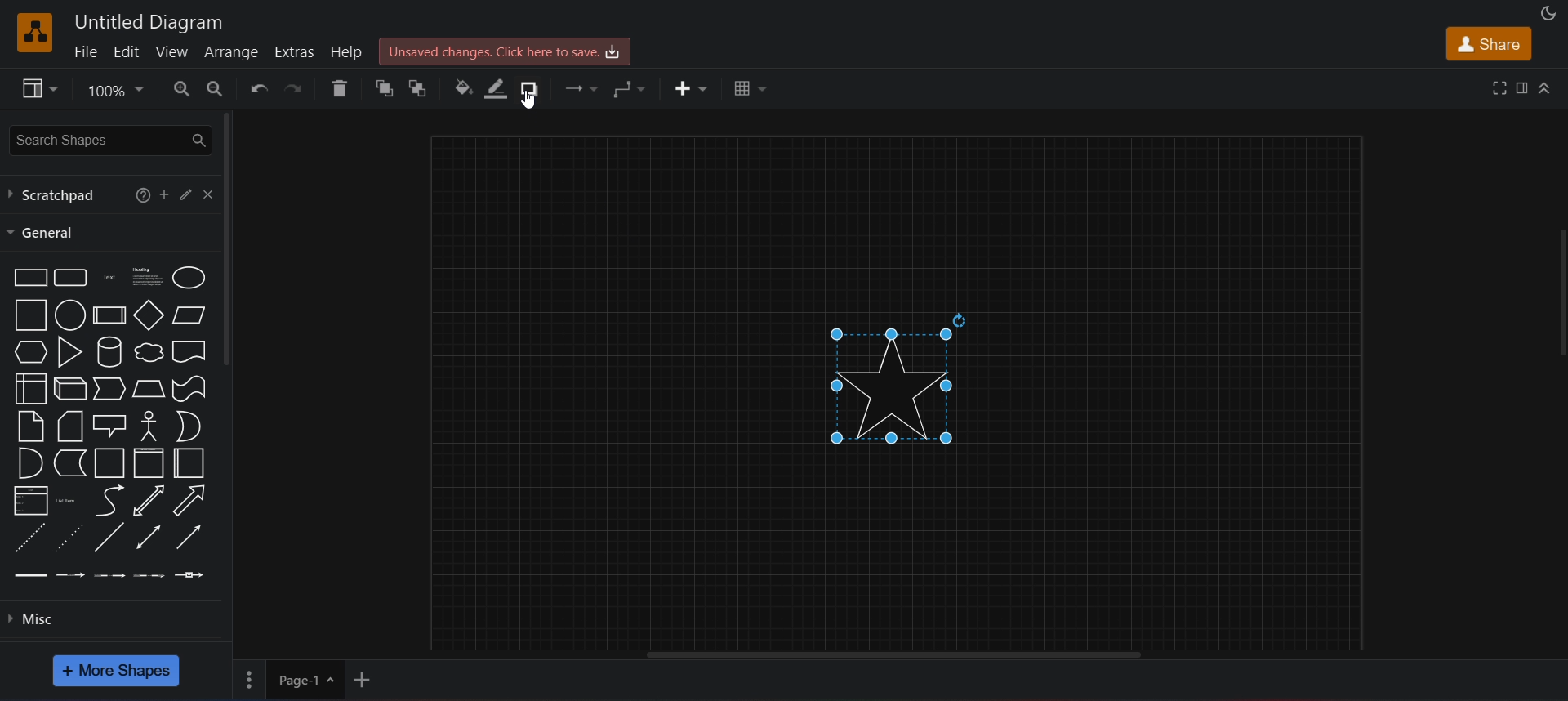 This screenshot has height=701, width=1568. What do you see at coordinates (69, 424) in the screenshot?
I see `card` at bounding box center [69, 424].